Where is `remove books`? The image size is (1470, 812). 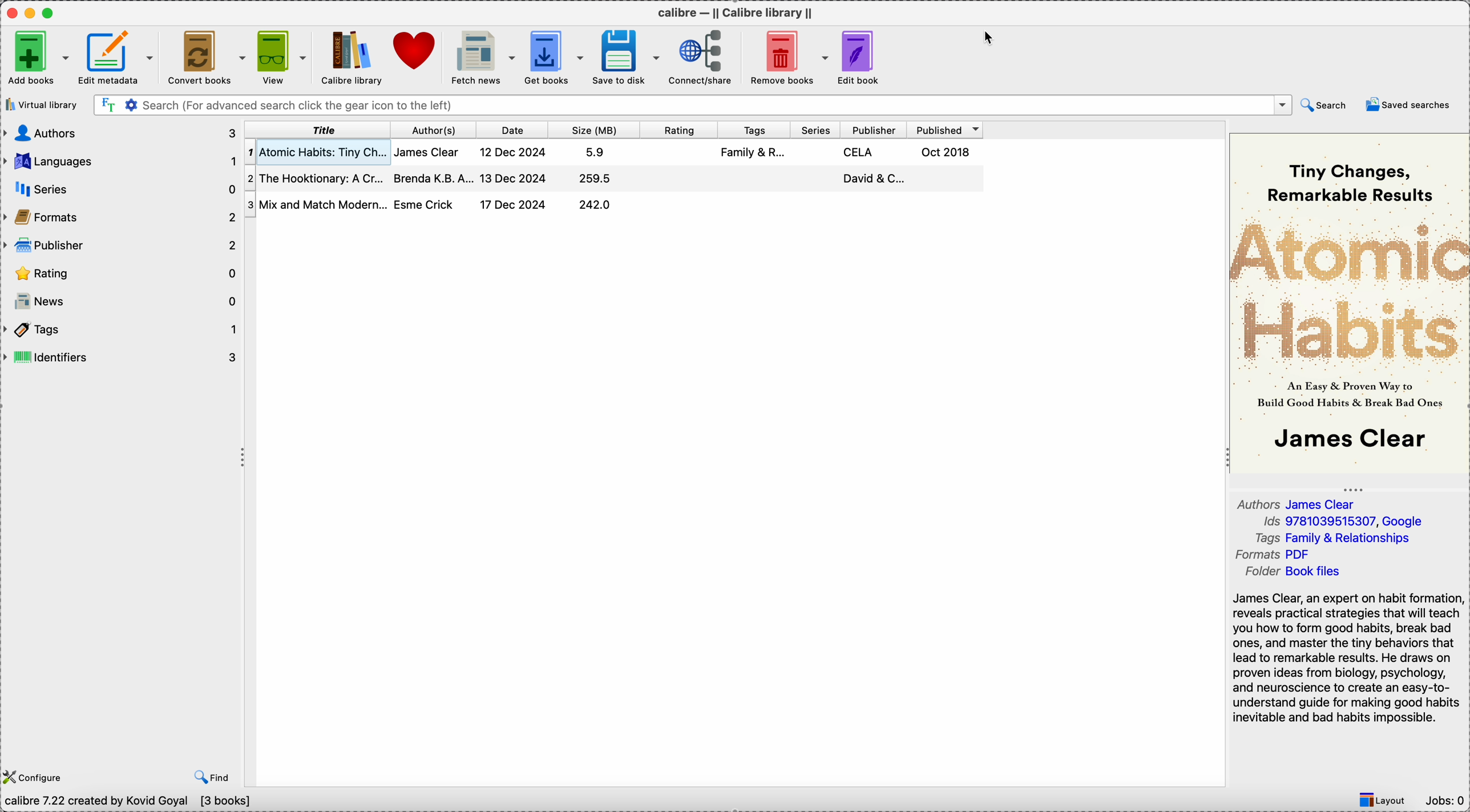 remove books is located at coordinates (785, 58).